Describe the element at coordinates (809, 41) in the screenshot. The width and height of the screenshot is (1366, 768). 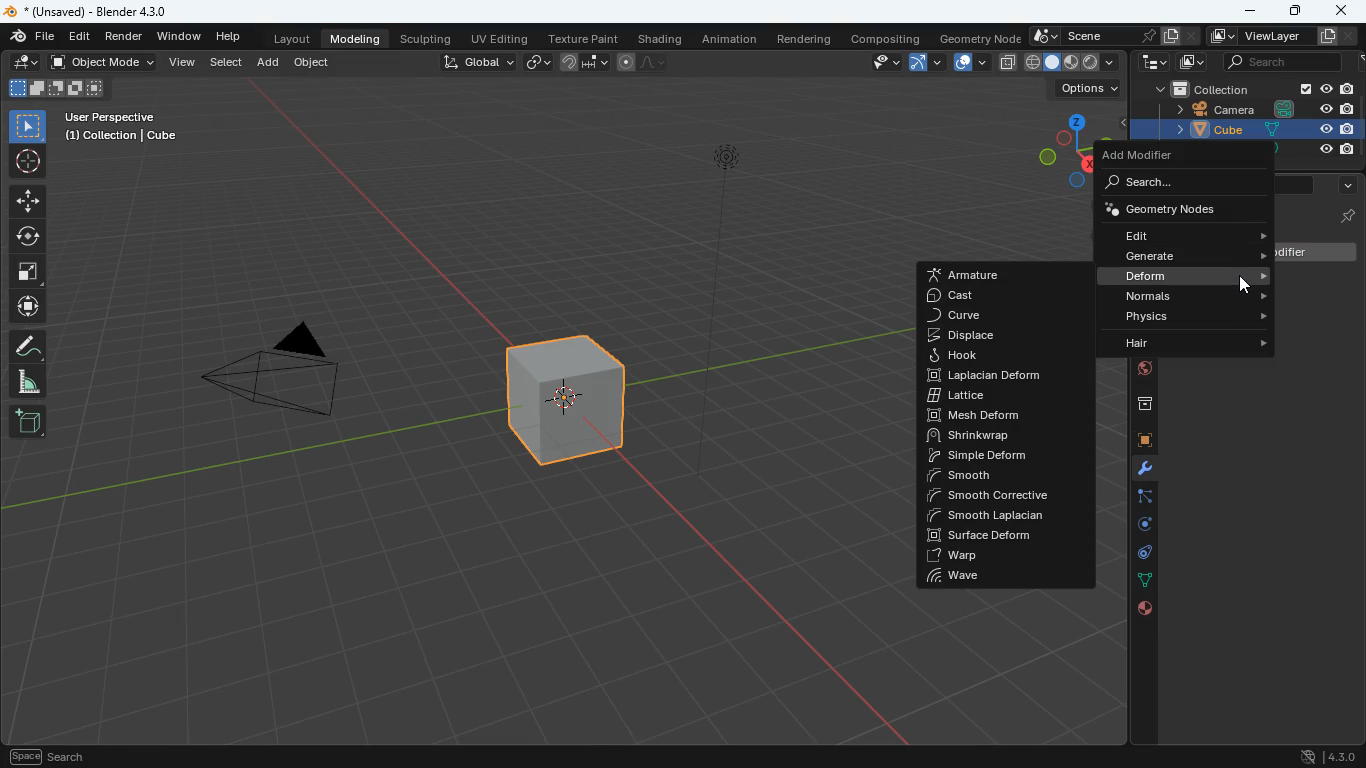
I see `rendering` at that location.